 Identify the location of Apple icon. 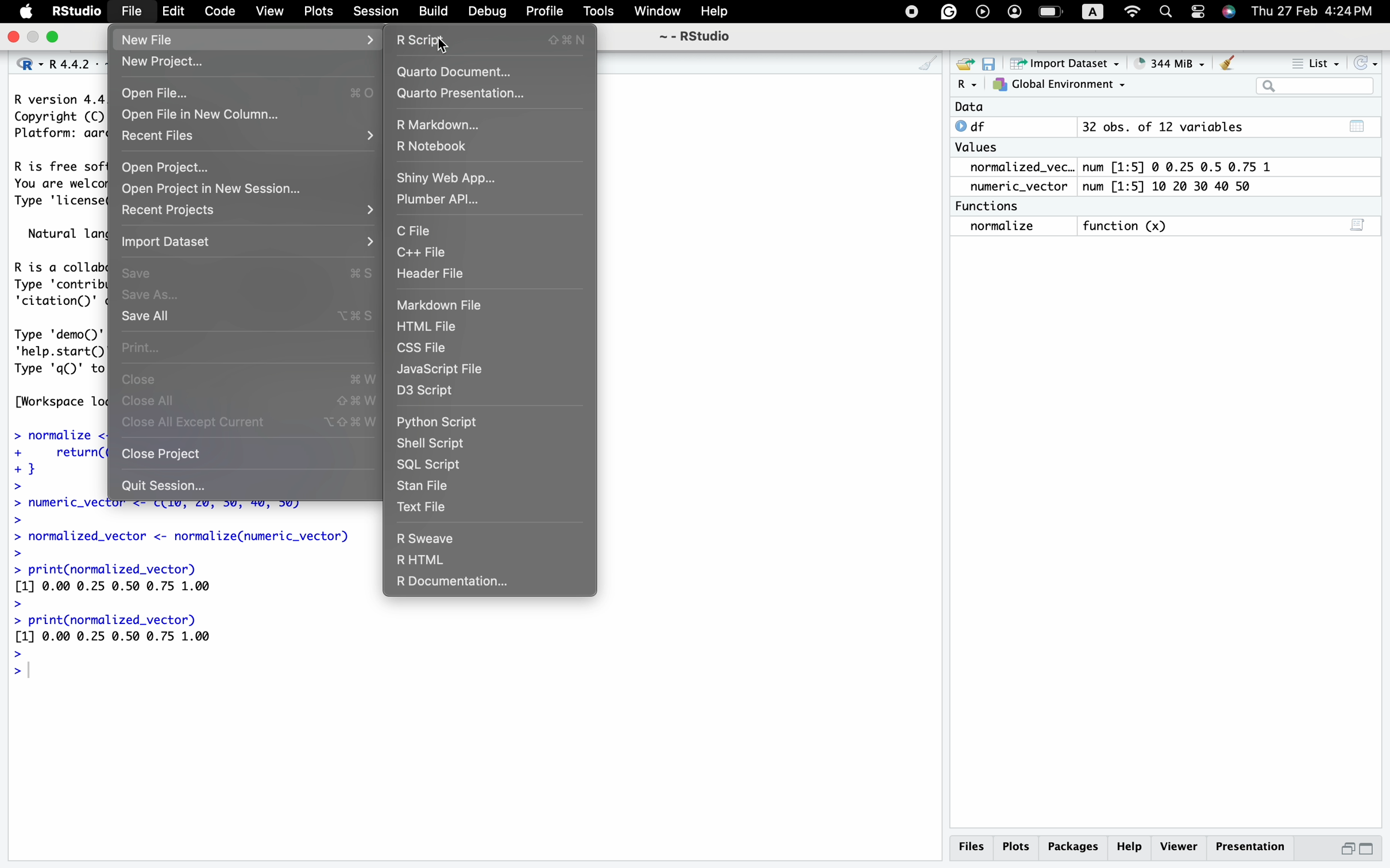
(24, 14).